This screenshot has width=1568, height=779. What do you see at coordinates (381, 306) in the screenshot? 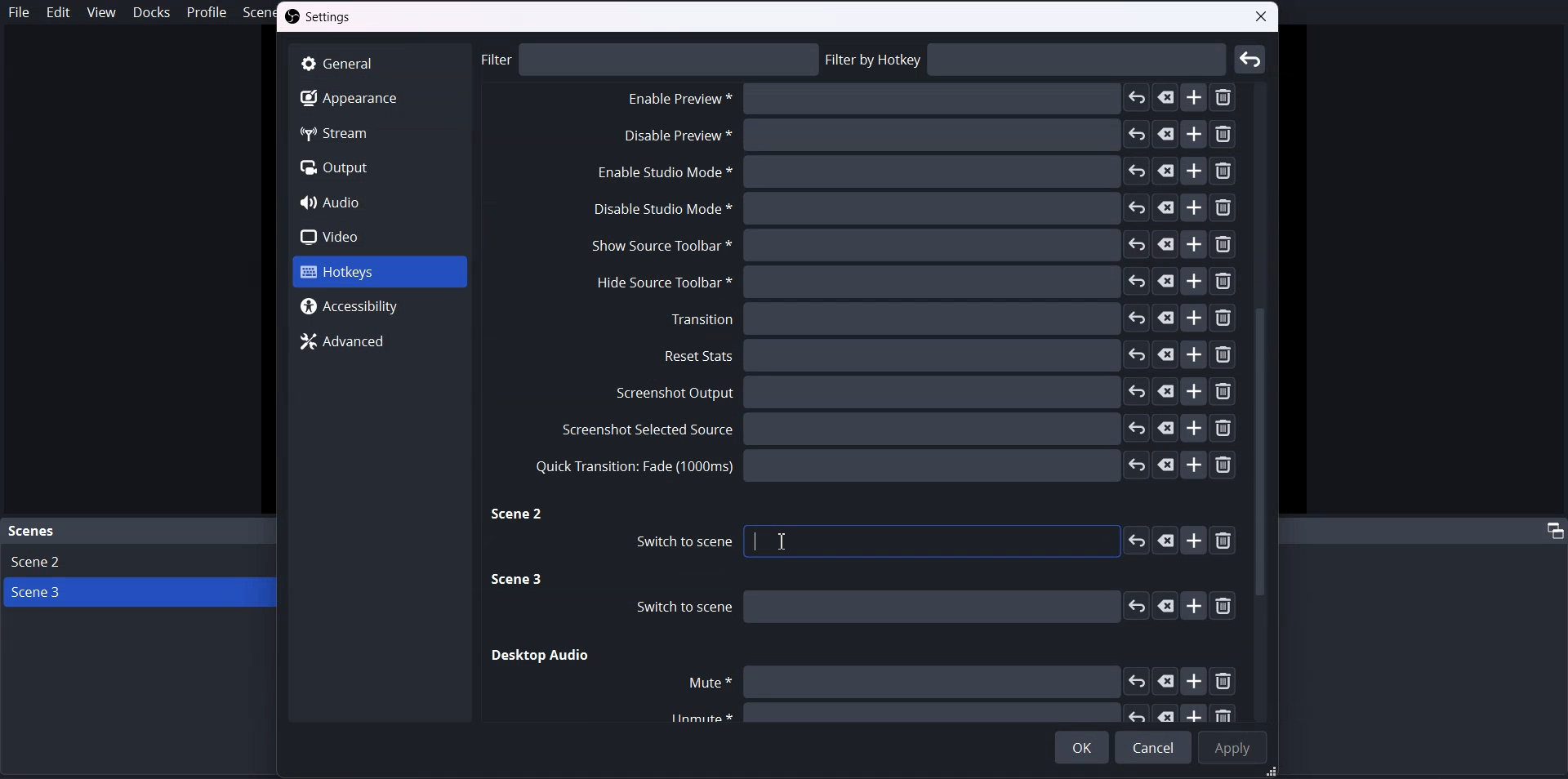
I see `Accessibility` at bounding box center [381, 306].